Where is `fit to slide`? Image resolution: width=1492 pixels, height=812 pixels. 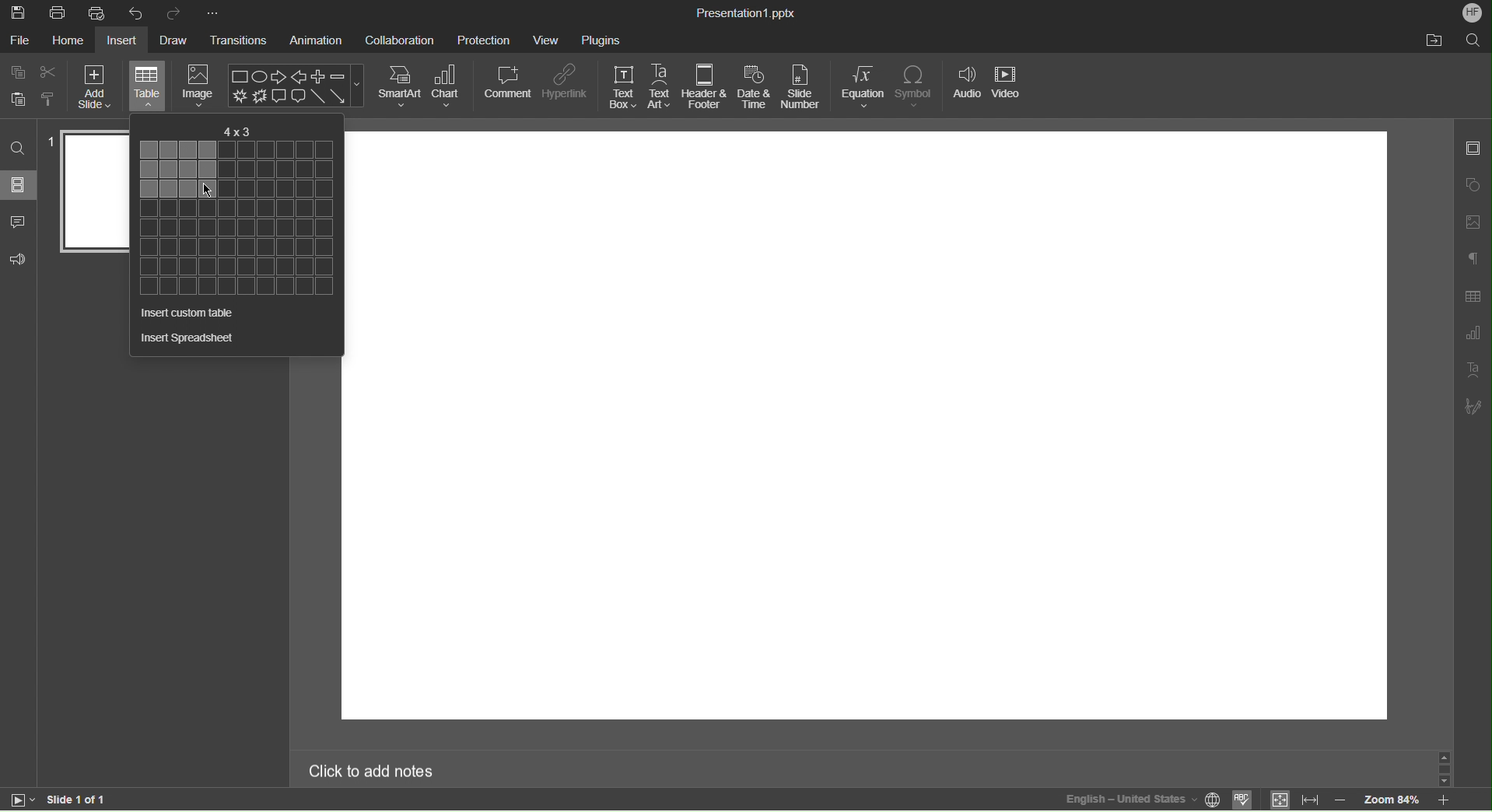 fit to slide is located at coordinates (1279, 800).